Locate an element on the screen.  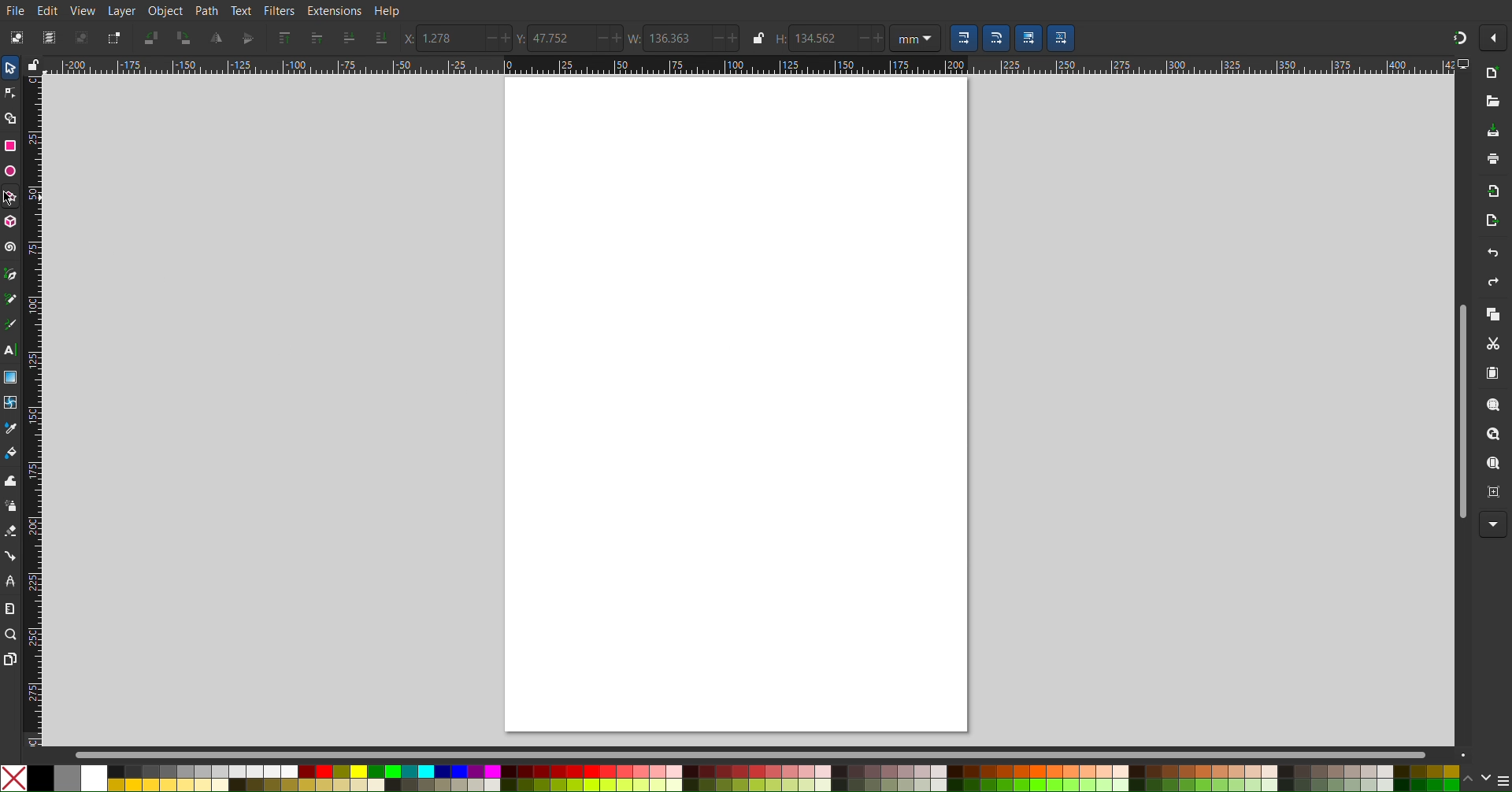
Send one layer up is located at coordinates (318, 39).